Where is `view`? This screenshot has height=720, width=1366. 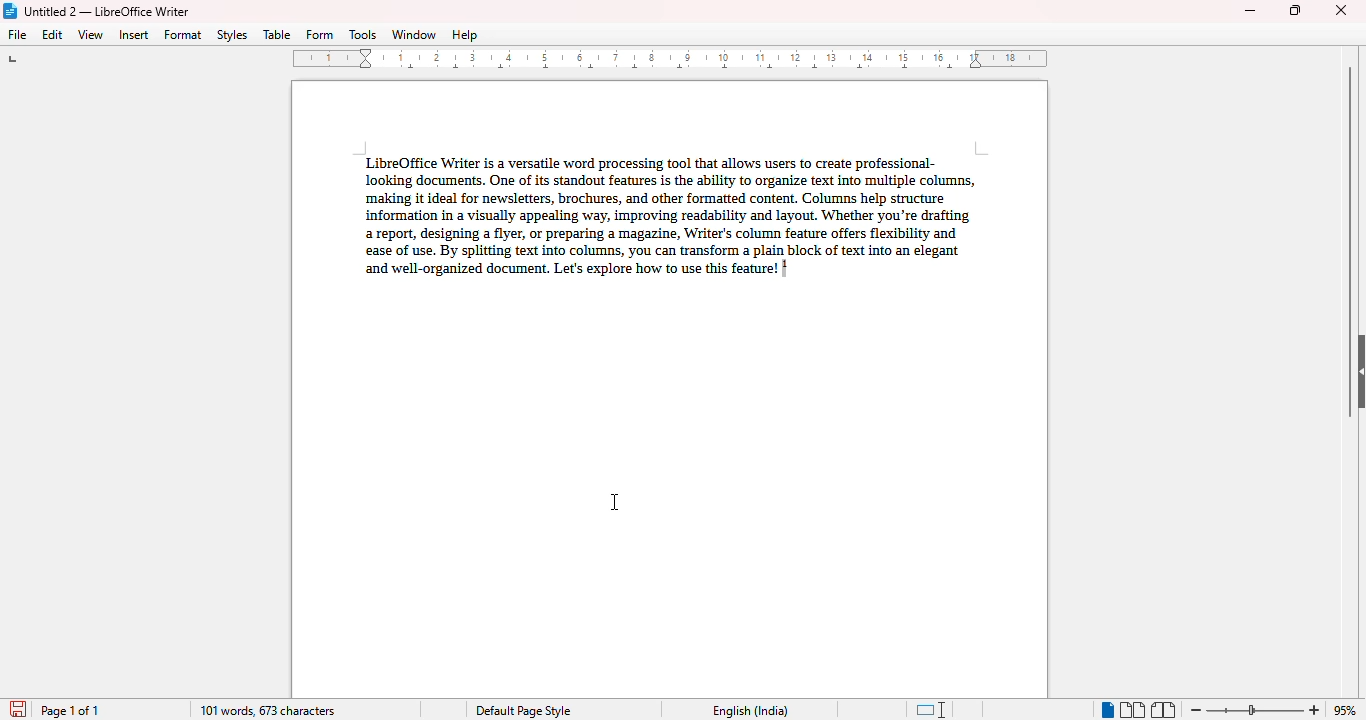
view is located at coordinates (92, 35).